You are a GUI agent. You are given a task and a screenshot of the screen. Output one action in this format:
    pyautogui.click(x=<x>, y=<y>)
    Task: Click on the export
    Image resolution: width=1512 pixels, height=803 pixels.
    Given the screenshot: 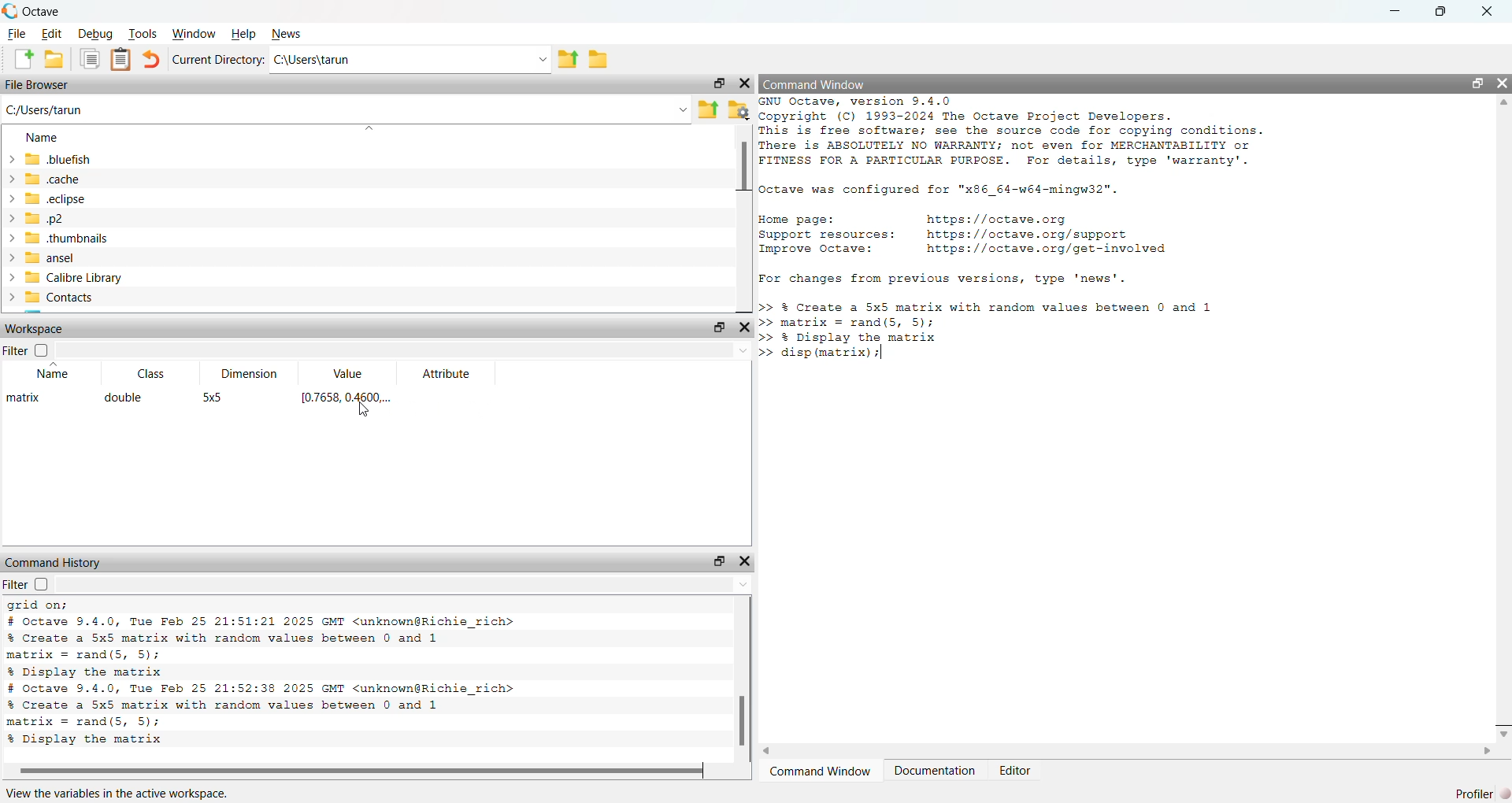 What is the action you would take?
    pyautogui.click(x=707, y=109)
    